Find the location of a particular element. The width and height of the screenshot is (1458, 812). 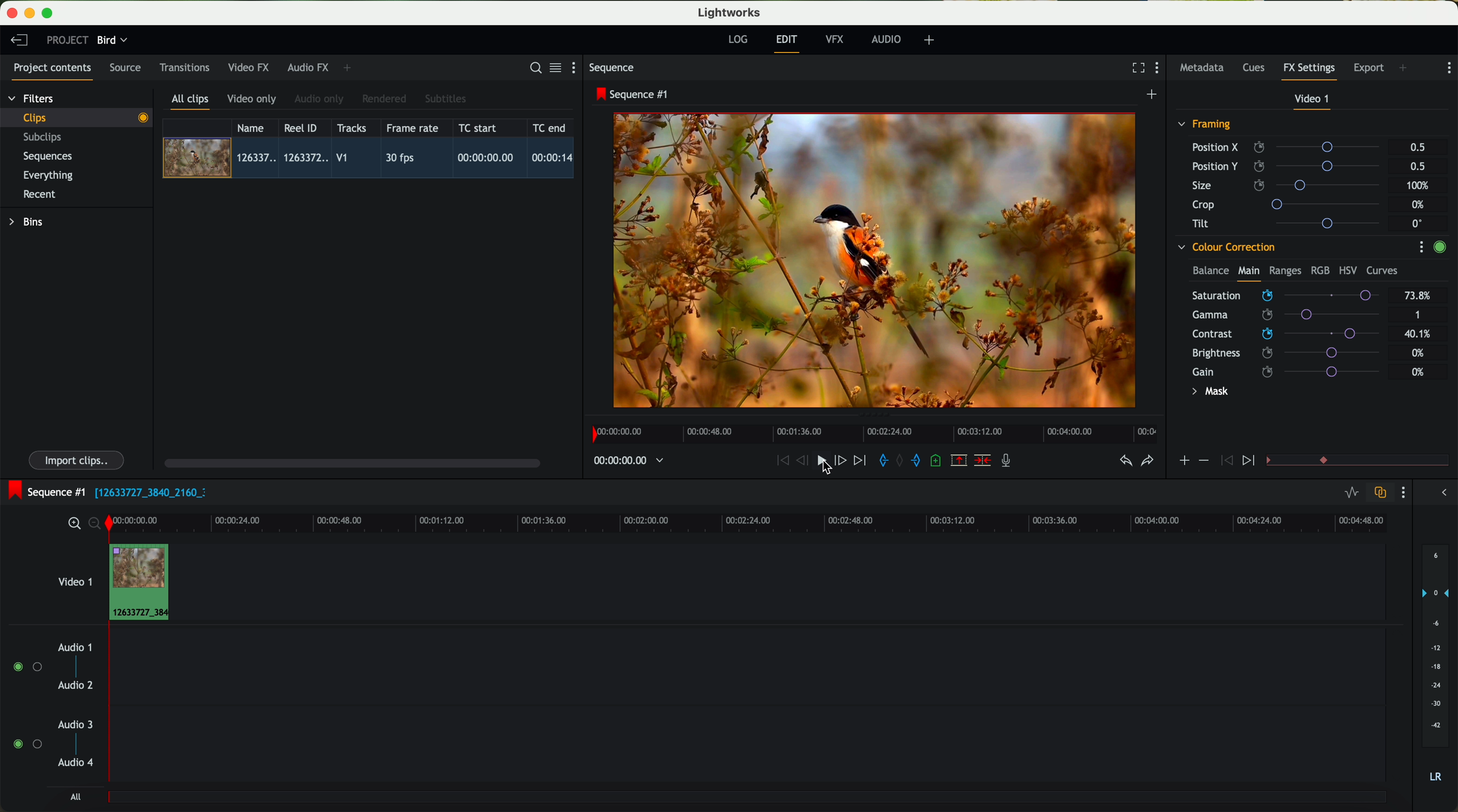

clear marks is located at coordinates (900, 461).